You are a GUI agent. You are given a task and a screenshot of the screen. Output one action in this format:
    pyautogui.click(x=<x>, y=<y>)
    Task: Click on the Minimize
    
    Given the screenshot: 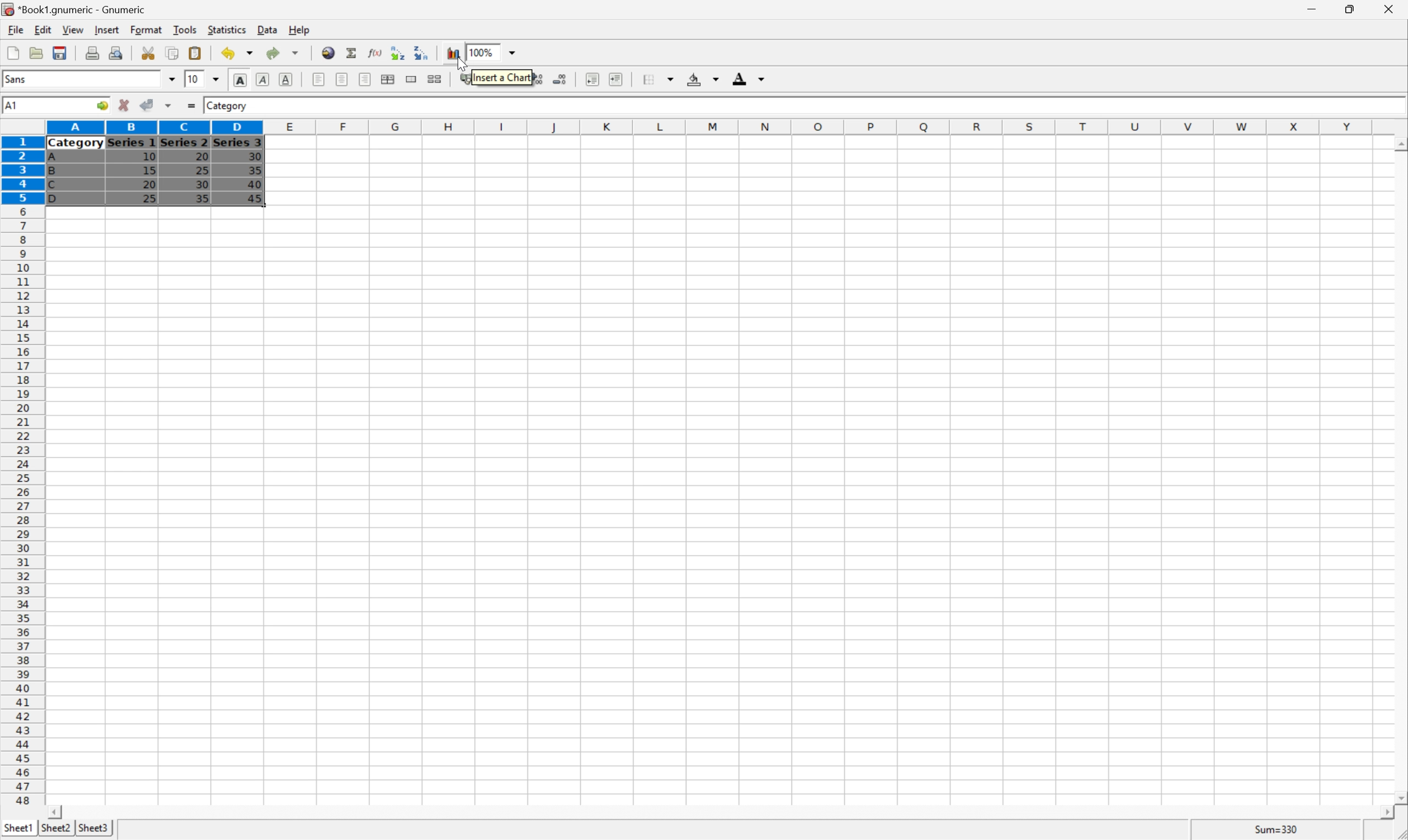 What is the action you would take?
    pyautogui.click(x=1308, y=10)
    